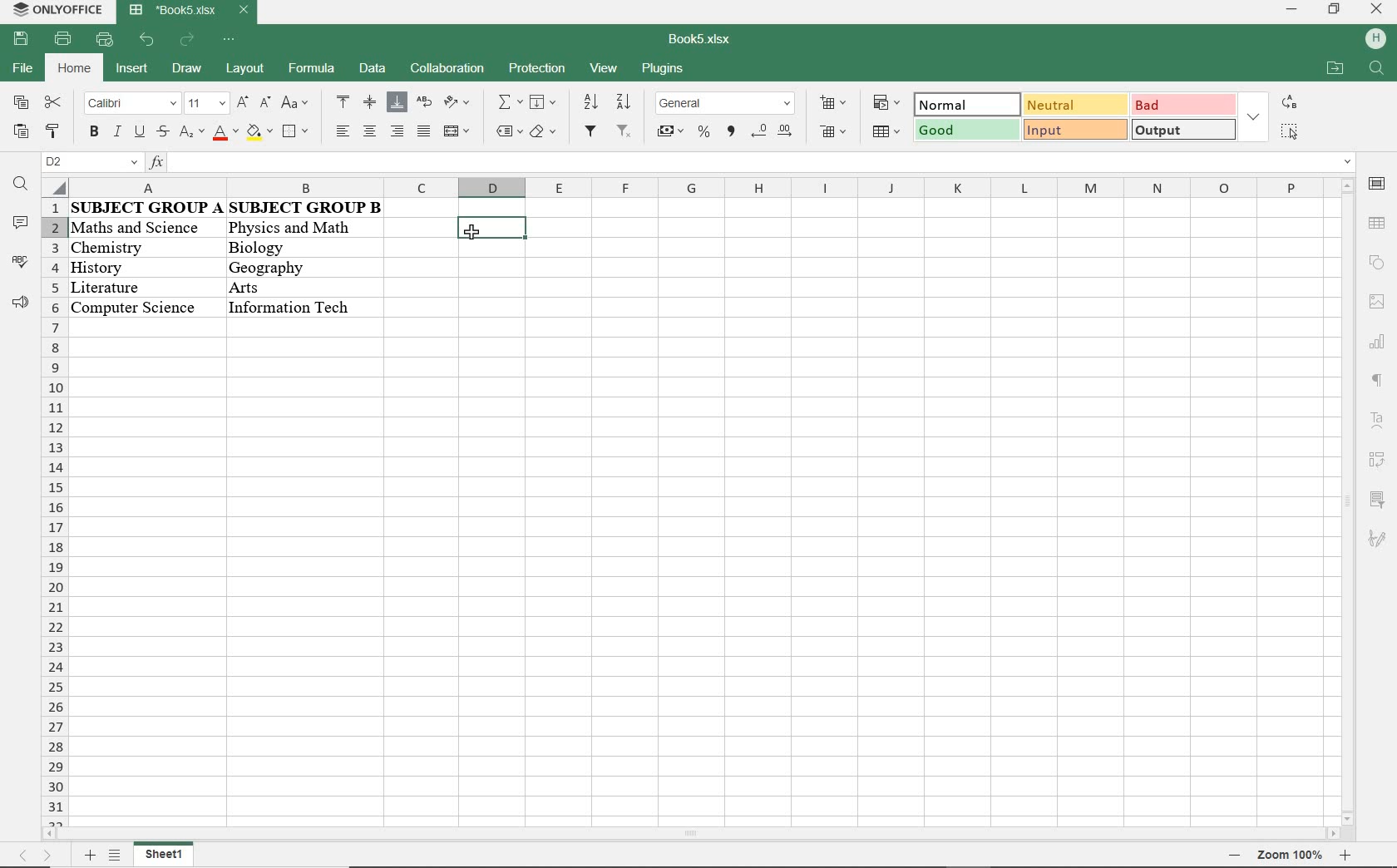 The width and height of the screenshot is (1397, 868). Describe the element at coordinates (732, 131) in the screenshot. I see `comma style` at that location.